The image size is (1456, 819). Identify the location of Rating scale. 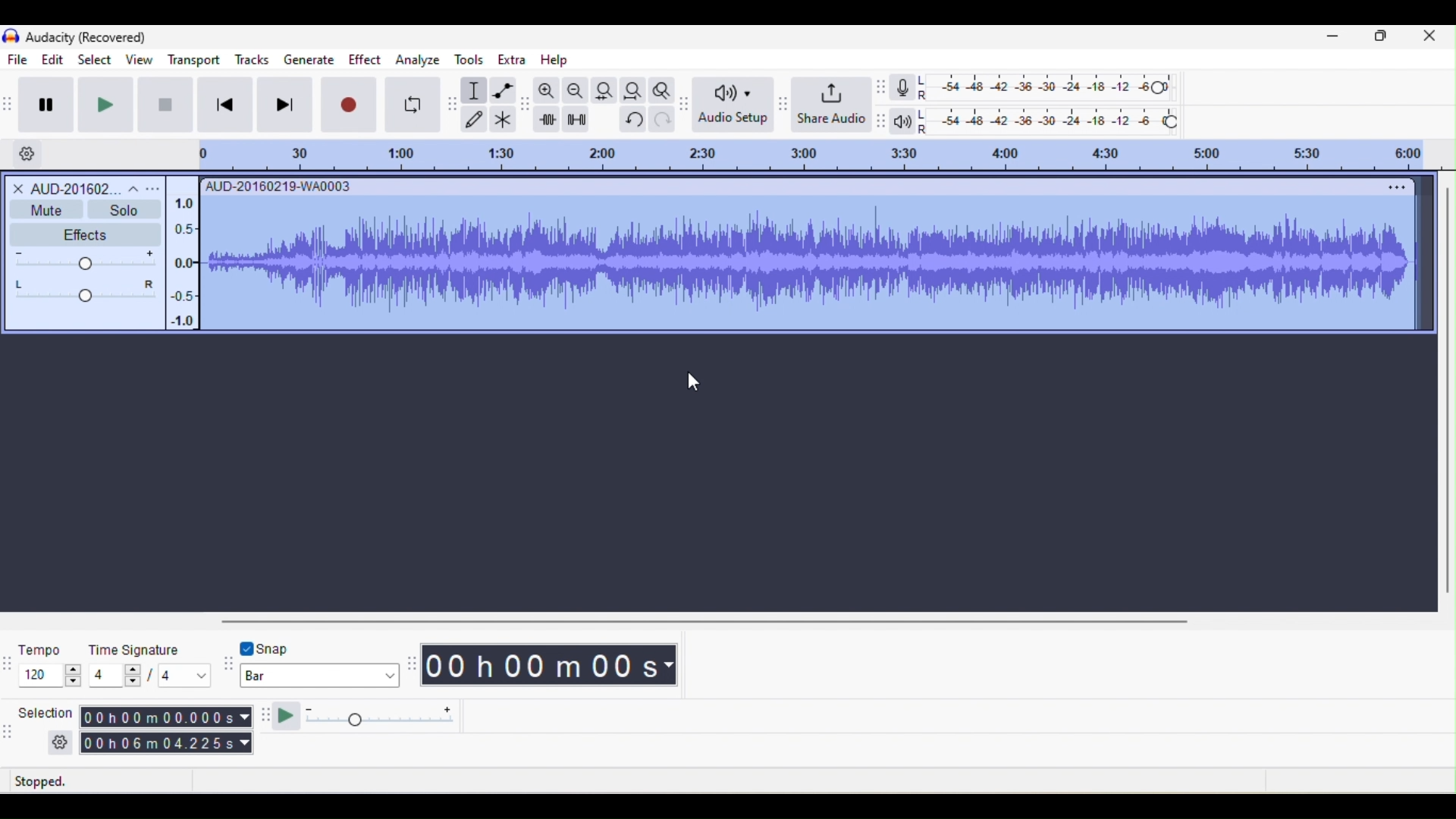
(809, 155).